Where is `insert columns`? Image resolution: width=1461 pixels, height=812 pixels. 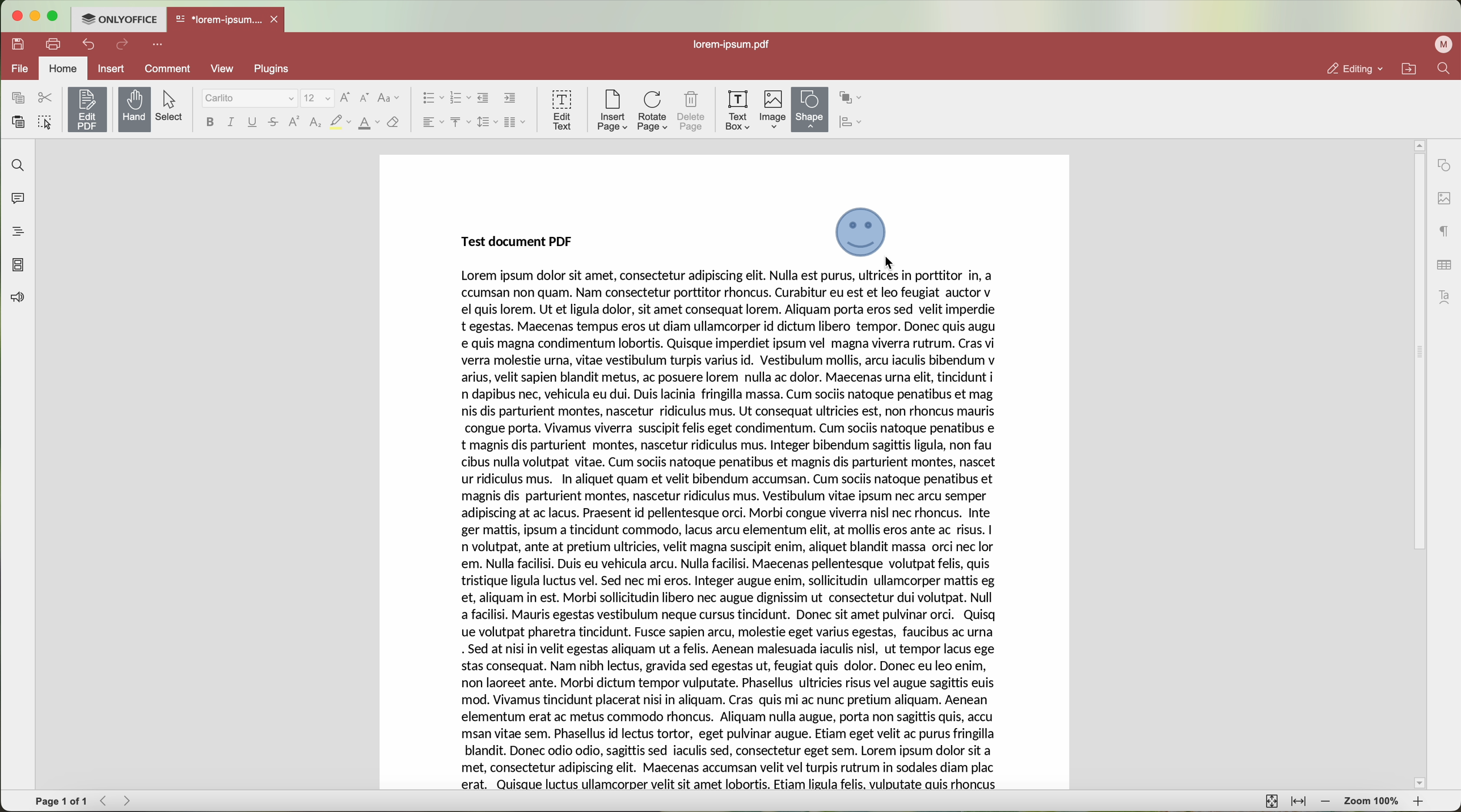 insert columns is located at coordinates (516, 122).